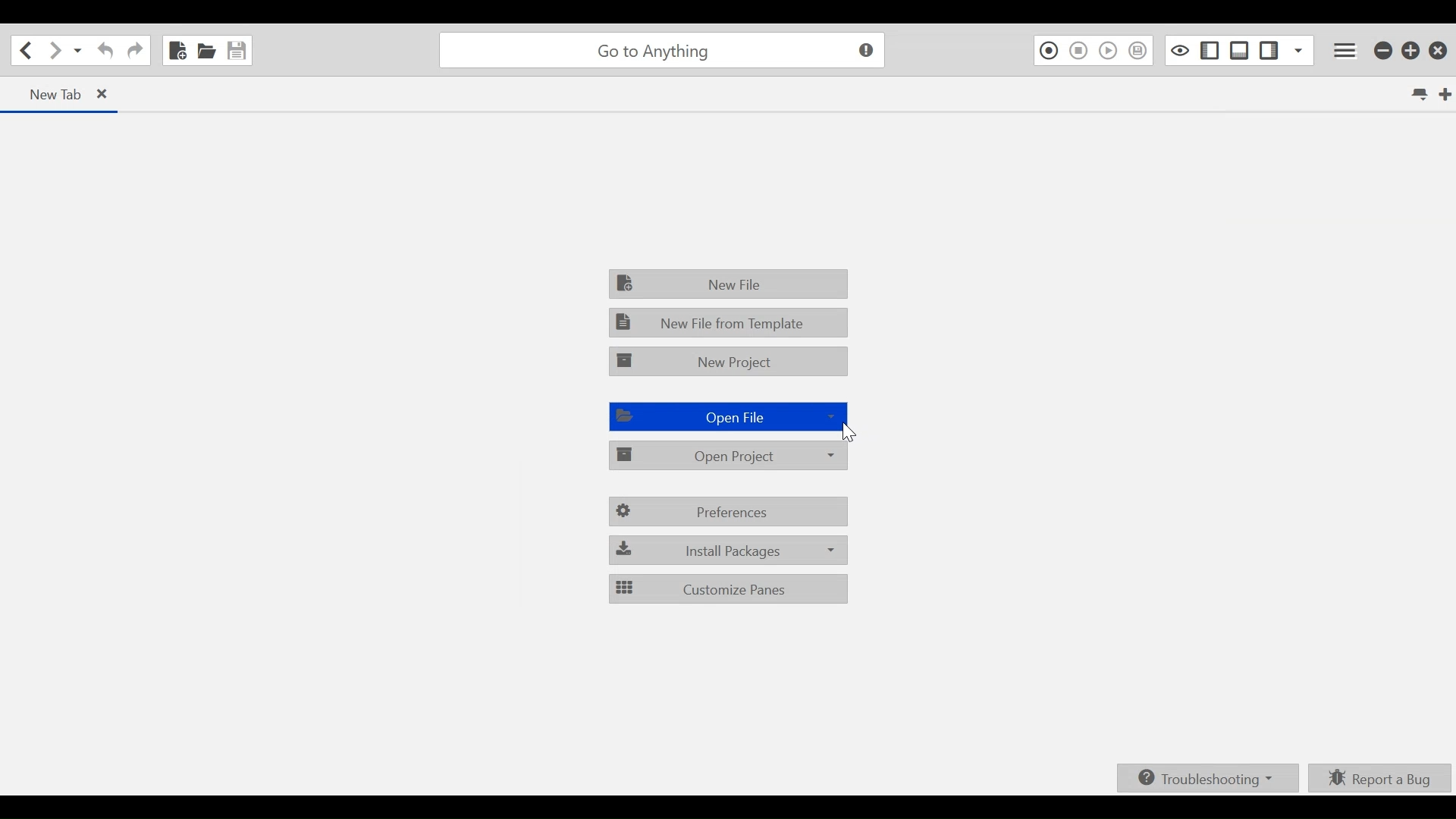 This screenshot has height=819, width=1456. Describe the element at coordinates (1440, 47) in the screenshot. I see `Close` at that location.